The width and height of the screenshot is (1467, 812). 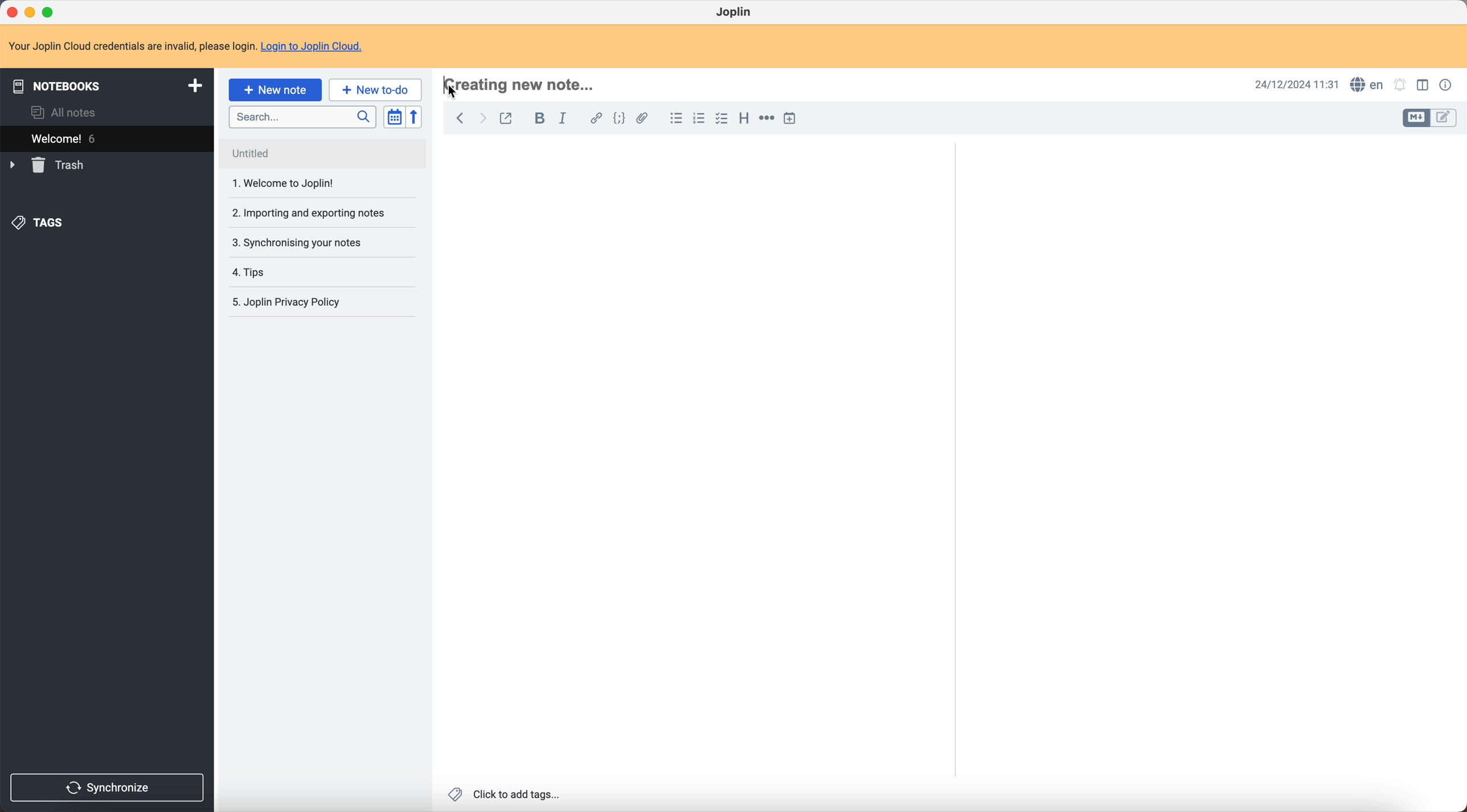 I want to click on Cursor, so click(x=454, y=92).